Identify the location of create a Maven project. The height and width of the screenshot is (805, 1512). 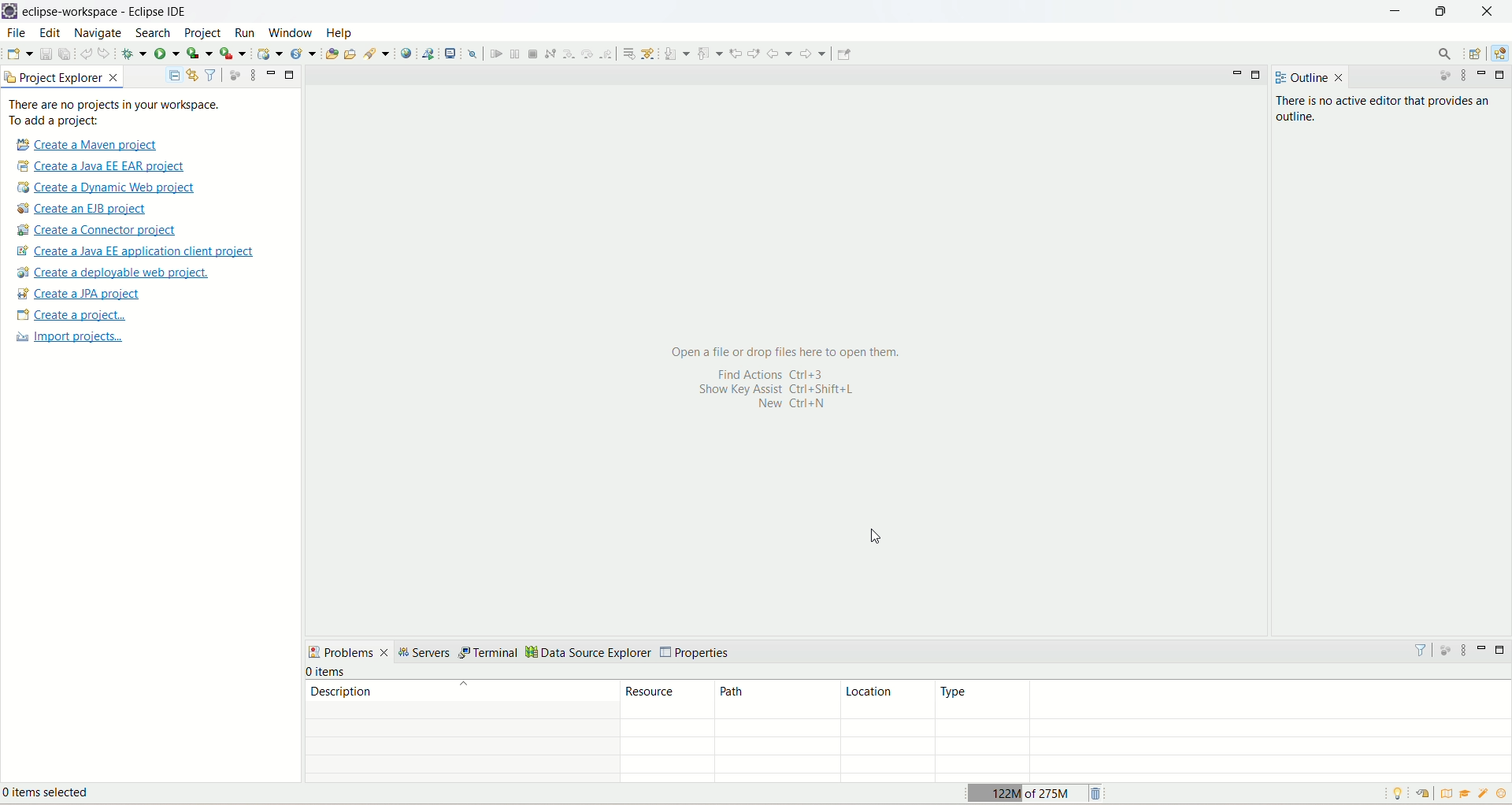
(83, 144).